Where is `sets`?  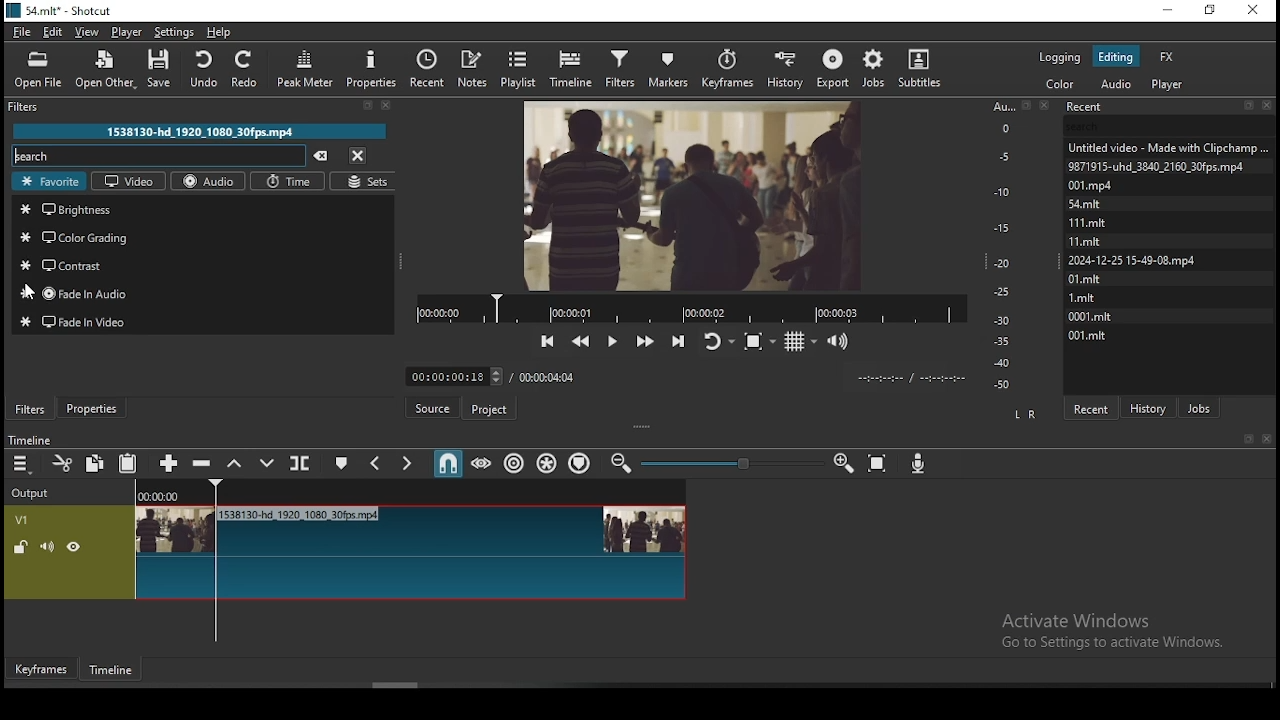
sets is located at coordinates (360, 181).